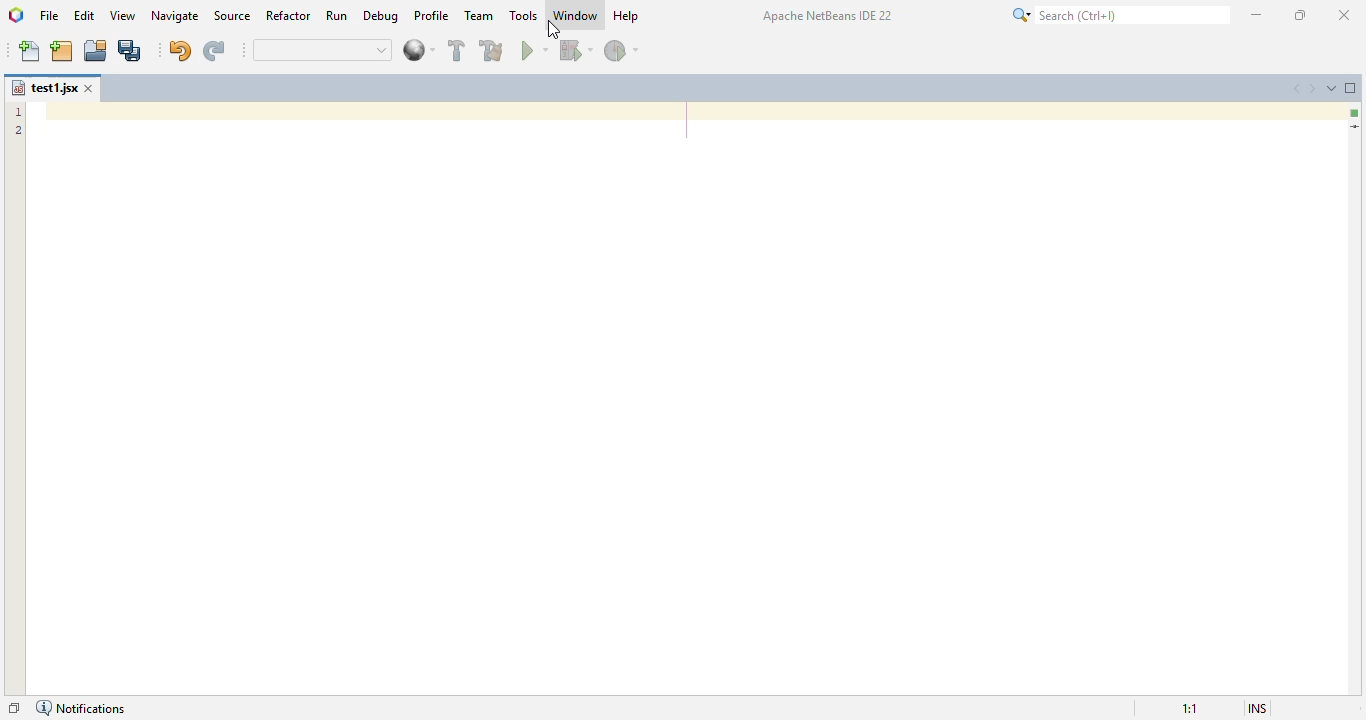 The height and width of the screenshot is (720, 1366). What do you see at coordinates (90, 88) in the screenshot?
I see `close` at bounding box center [90, 88].